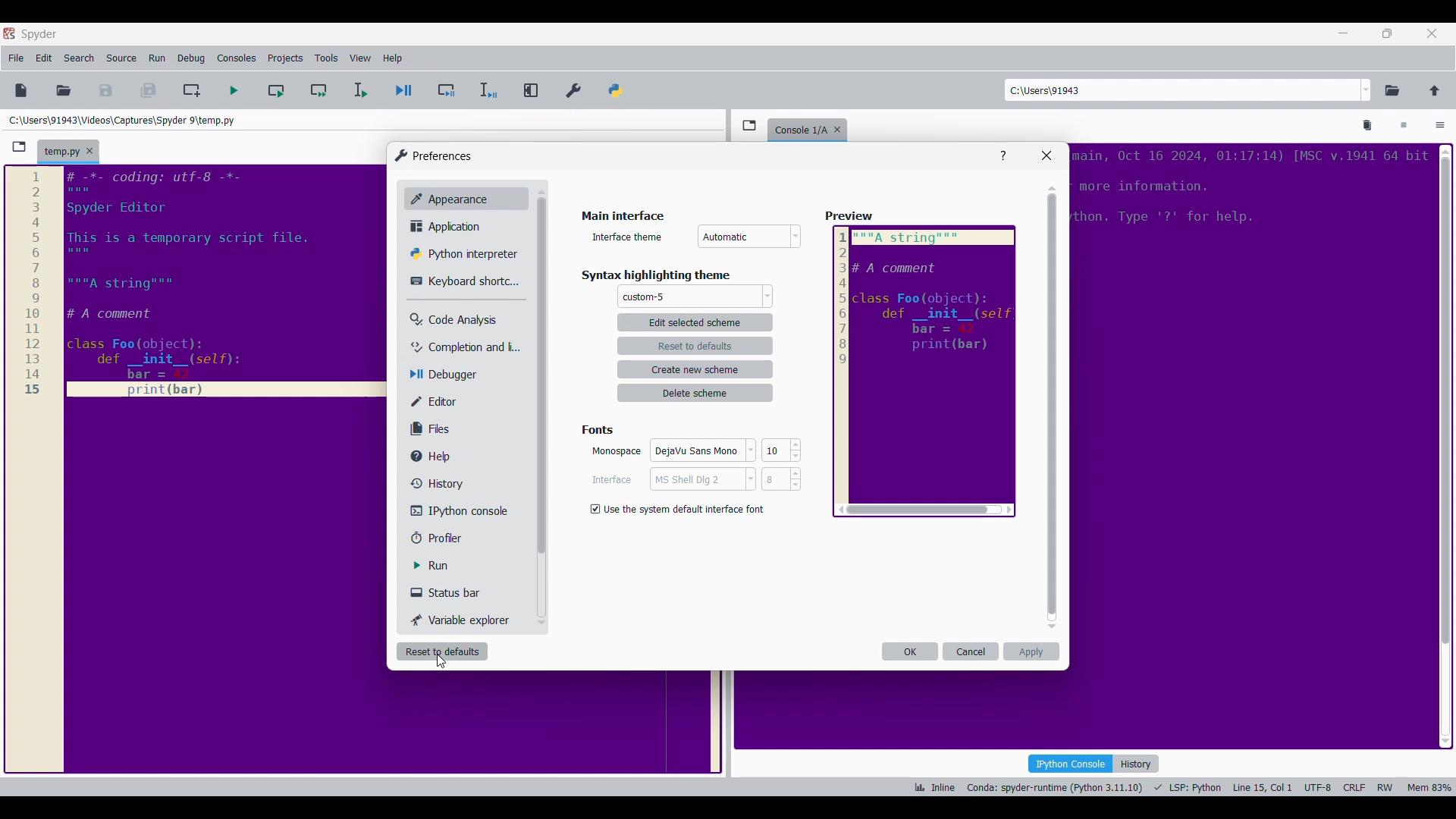  Describe the element at coordinates (1367, 127) in the screenshot. I see `Remove all variables from namespace` at that location.